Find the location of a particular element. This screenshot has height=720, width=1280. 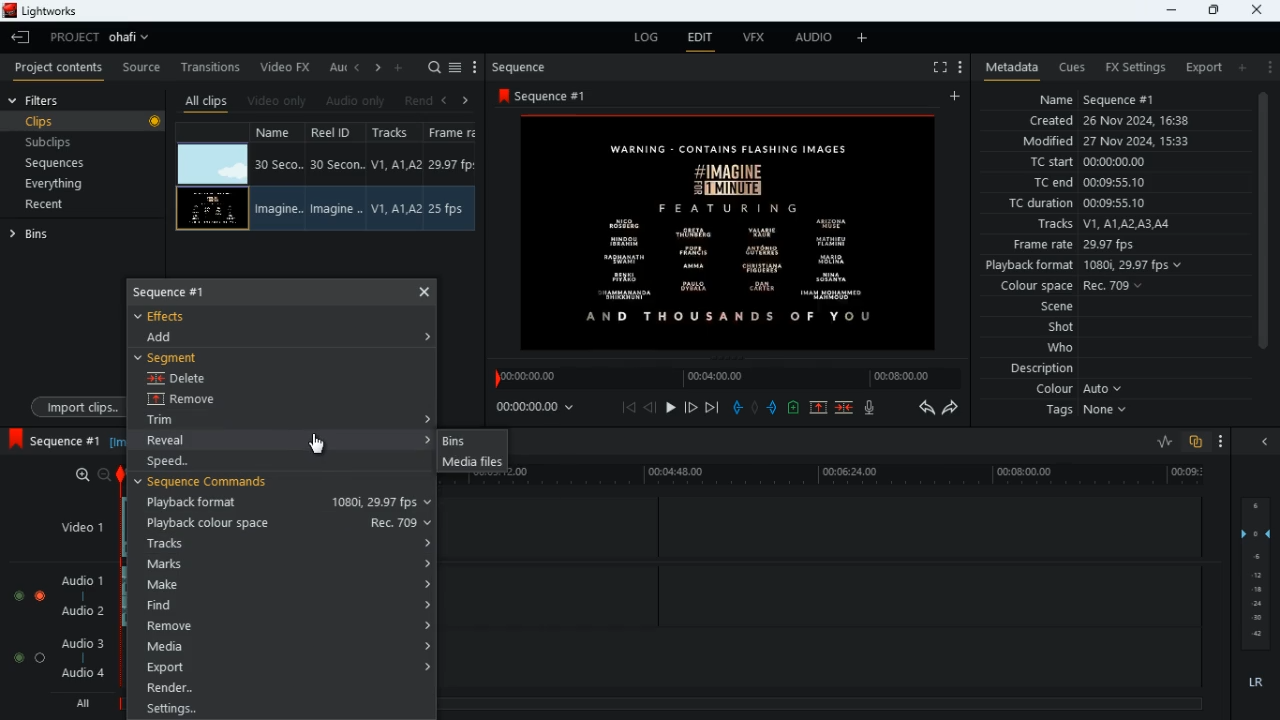

settings is located at coordinates (279, 710).